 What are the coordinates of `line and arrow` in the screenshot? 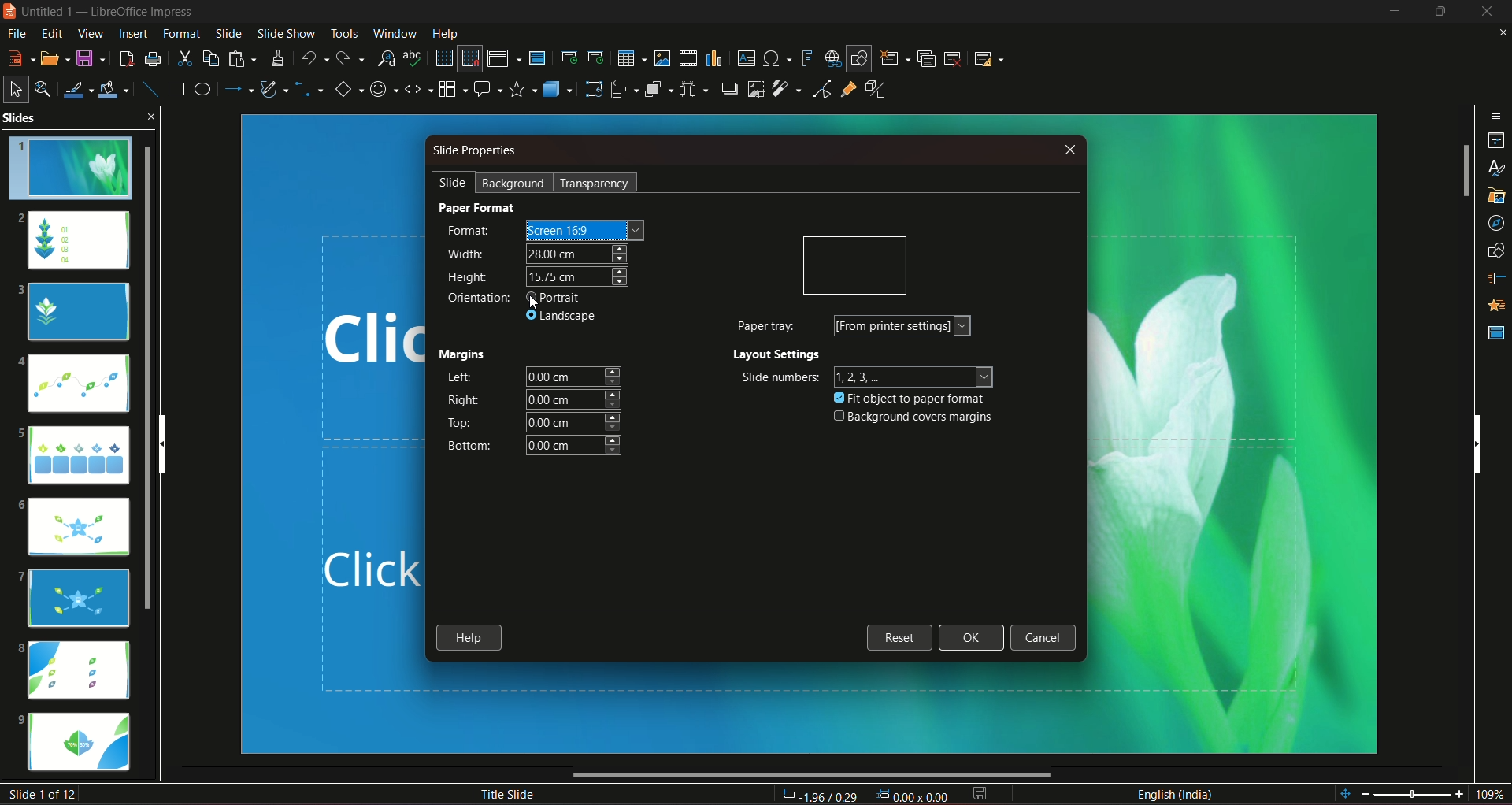 It's located at (239, 89).